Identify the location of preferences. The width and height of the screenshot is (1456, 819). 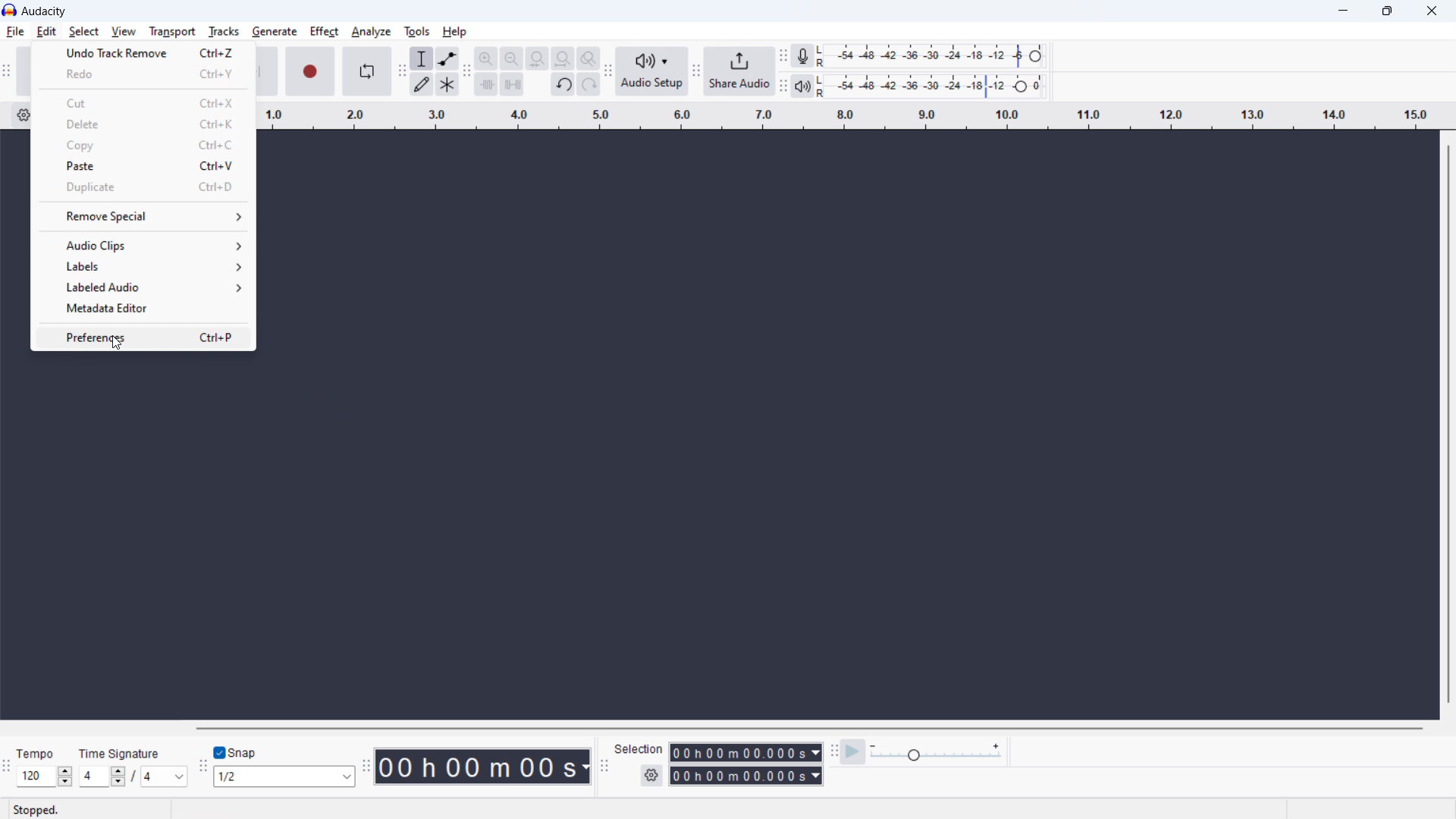
(143, 337).